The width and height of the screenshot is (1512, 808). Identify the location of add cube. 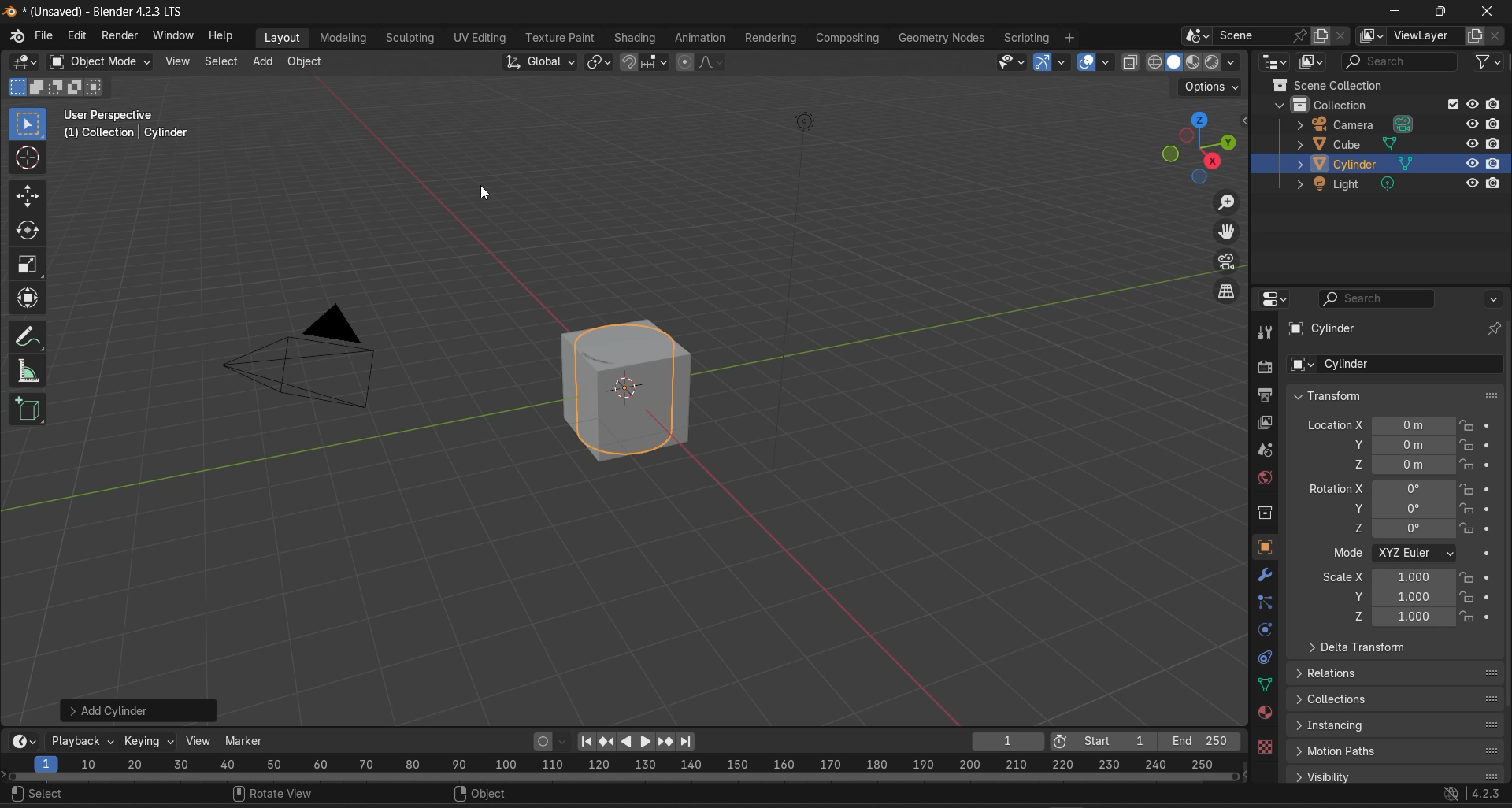
(30, 413).